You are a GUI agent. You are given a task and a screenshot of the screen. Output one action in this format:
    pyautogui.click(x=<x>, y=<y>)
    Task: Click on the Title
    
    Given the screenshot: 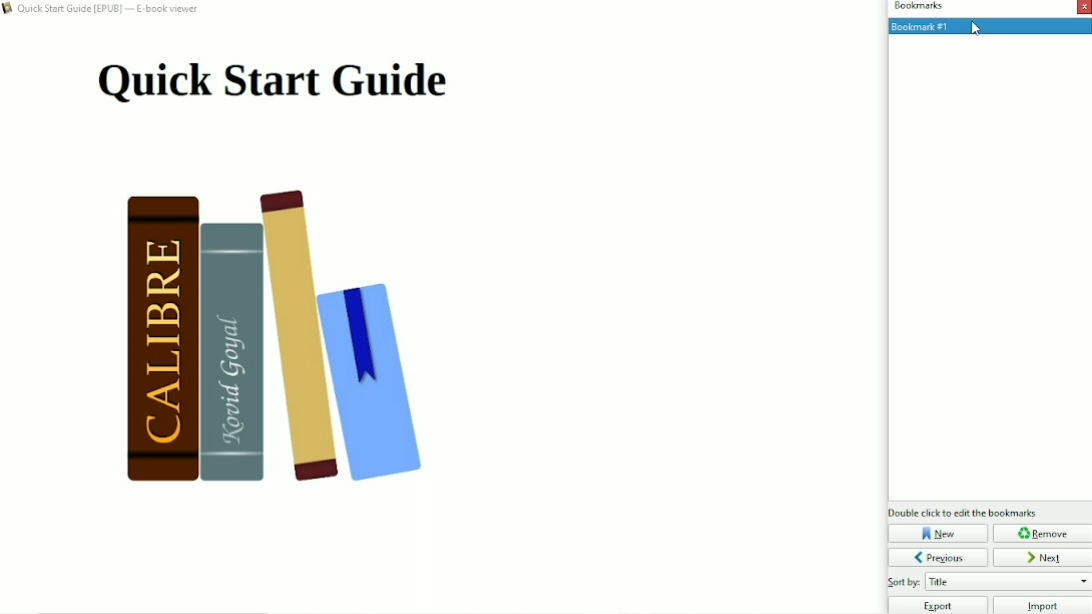 What is the action you would take?
    pyautogui.click(x=278, y=86)
    